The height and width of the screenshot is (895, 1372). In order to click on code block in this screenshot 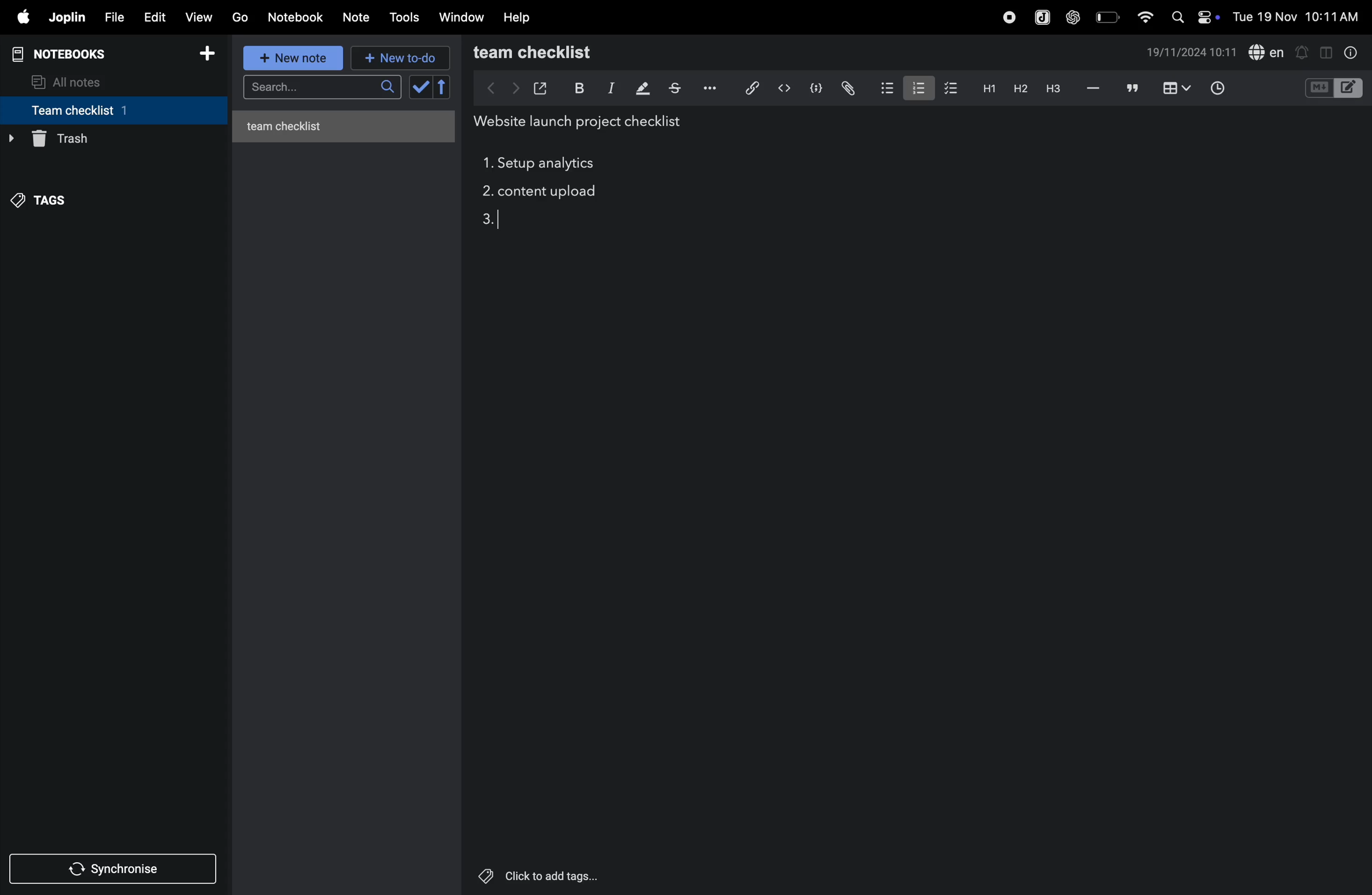, I will do `click(816, 87)`.